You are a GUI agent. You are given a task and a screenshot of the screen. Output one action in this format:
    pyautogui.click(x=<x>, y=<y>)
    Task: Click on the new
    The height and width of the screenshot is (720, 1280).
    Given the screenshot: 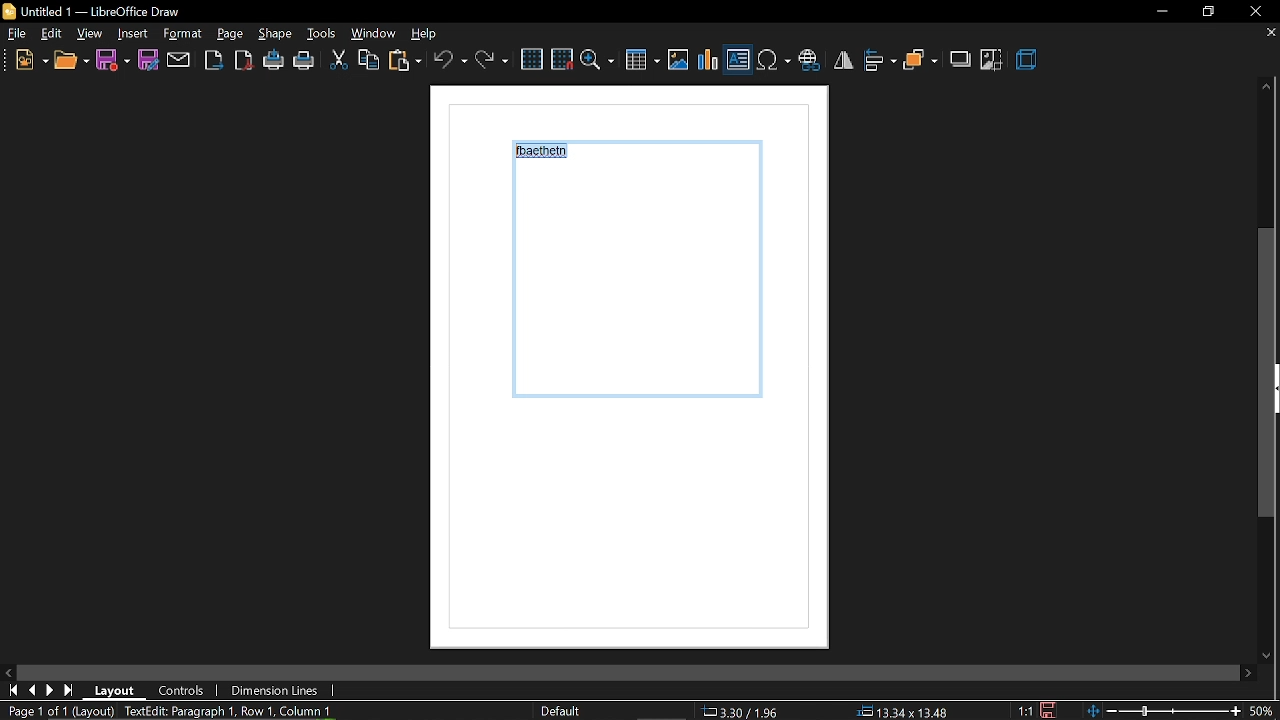 What is the action you would take?
    pyautogui.click(x=30, y=60)
    